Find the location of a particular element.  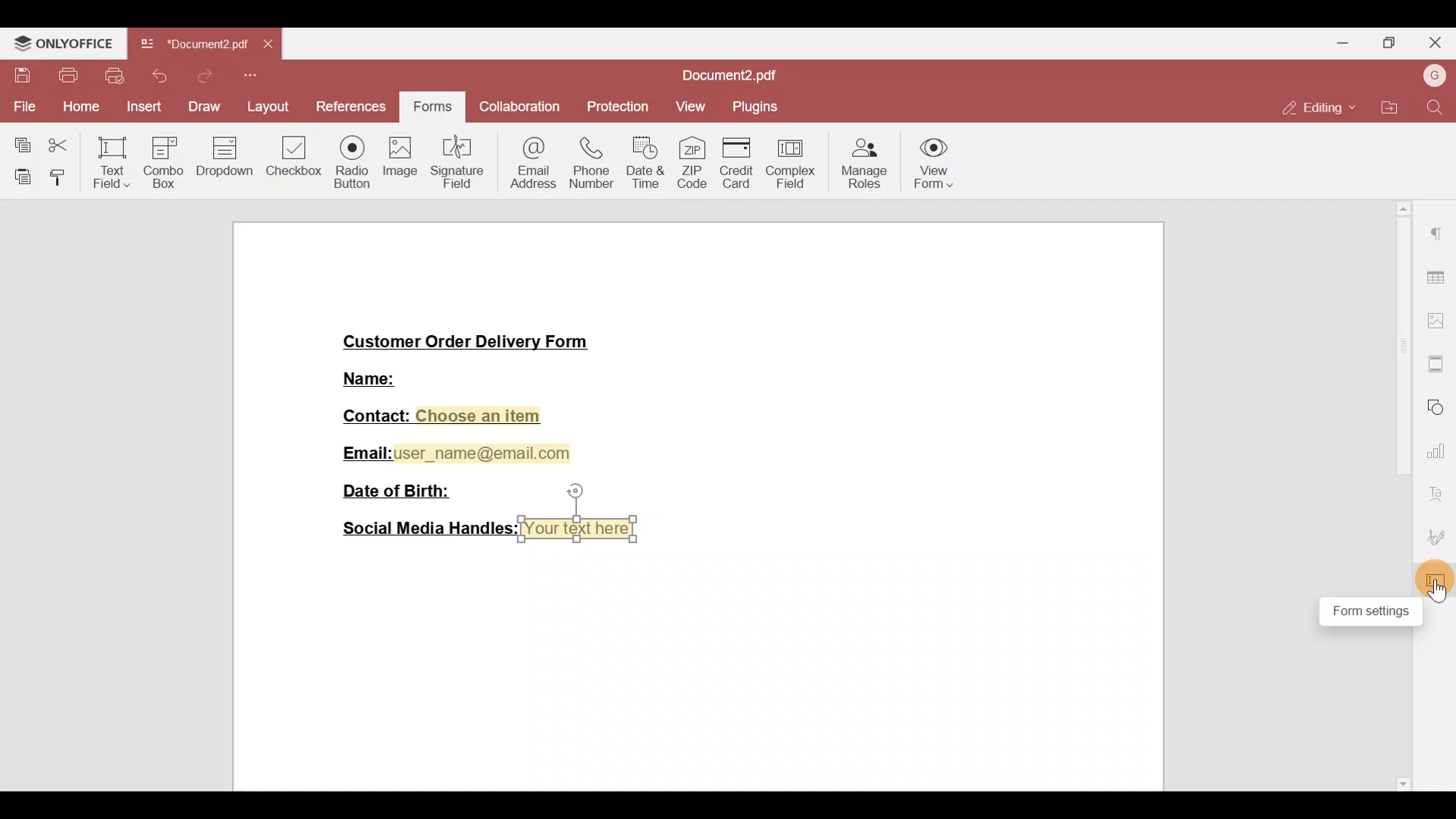

Quick print is located at coordinates (116, 76).